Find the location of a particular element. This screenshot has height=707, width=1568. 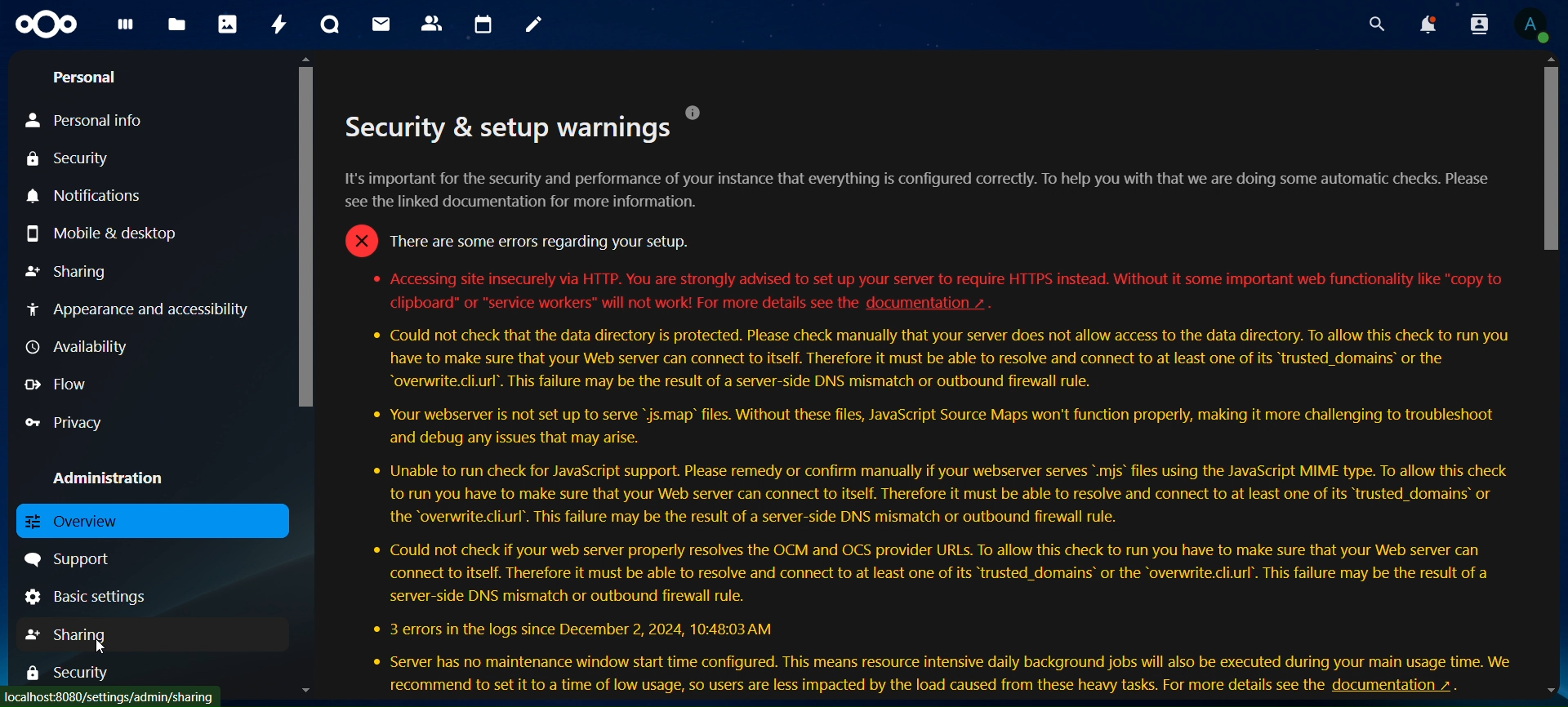

appearance and accessibilty is located at coordinates (139, 306).